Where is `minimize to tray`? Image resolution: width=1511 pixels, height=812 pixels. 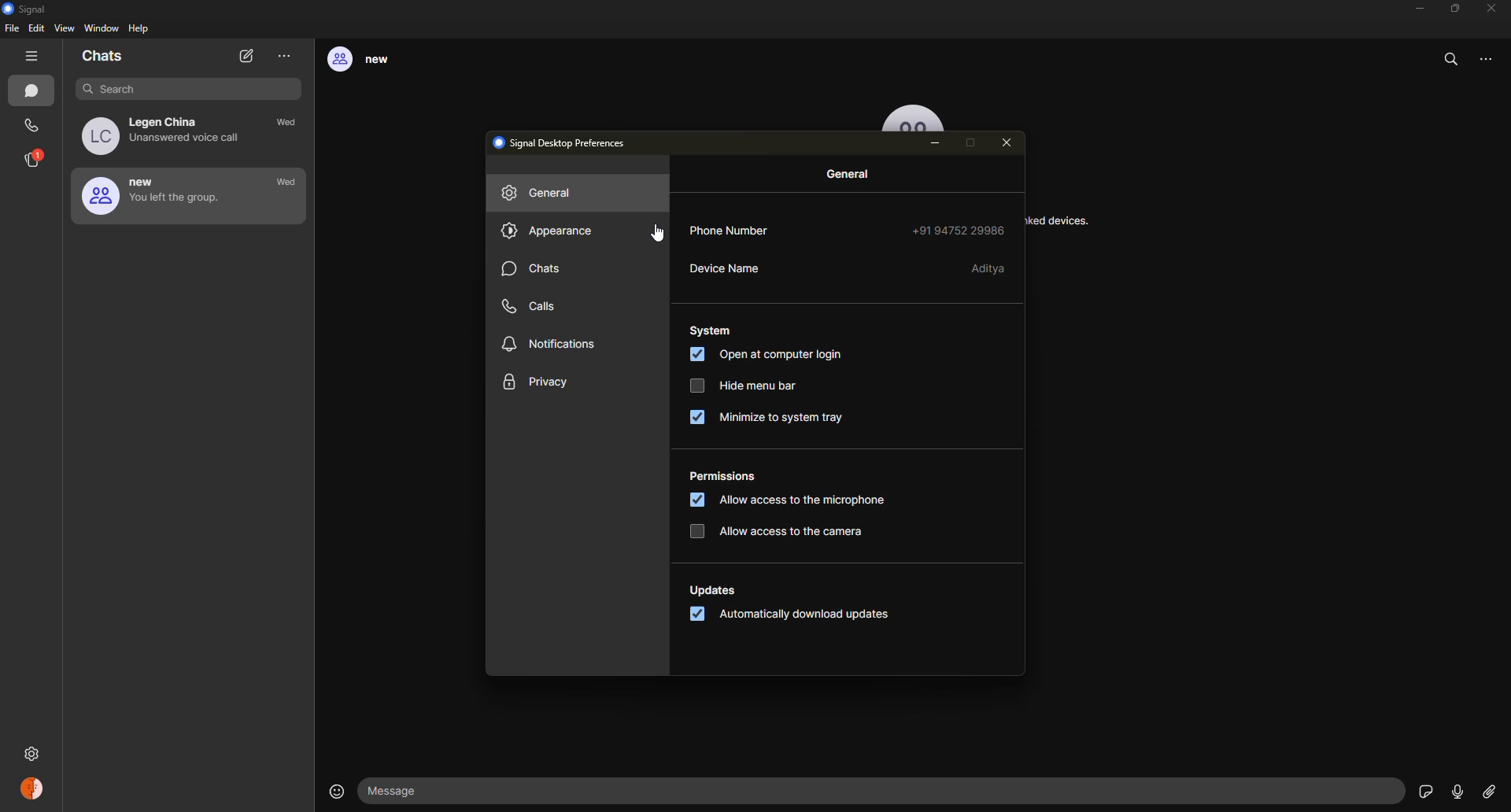 minimize to tray is located at coordinates (772, 420).